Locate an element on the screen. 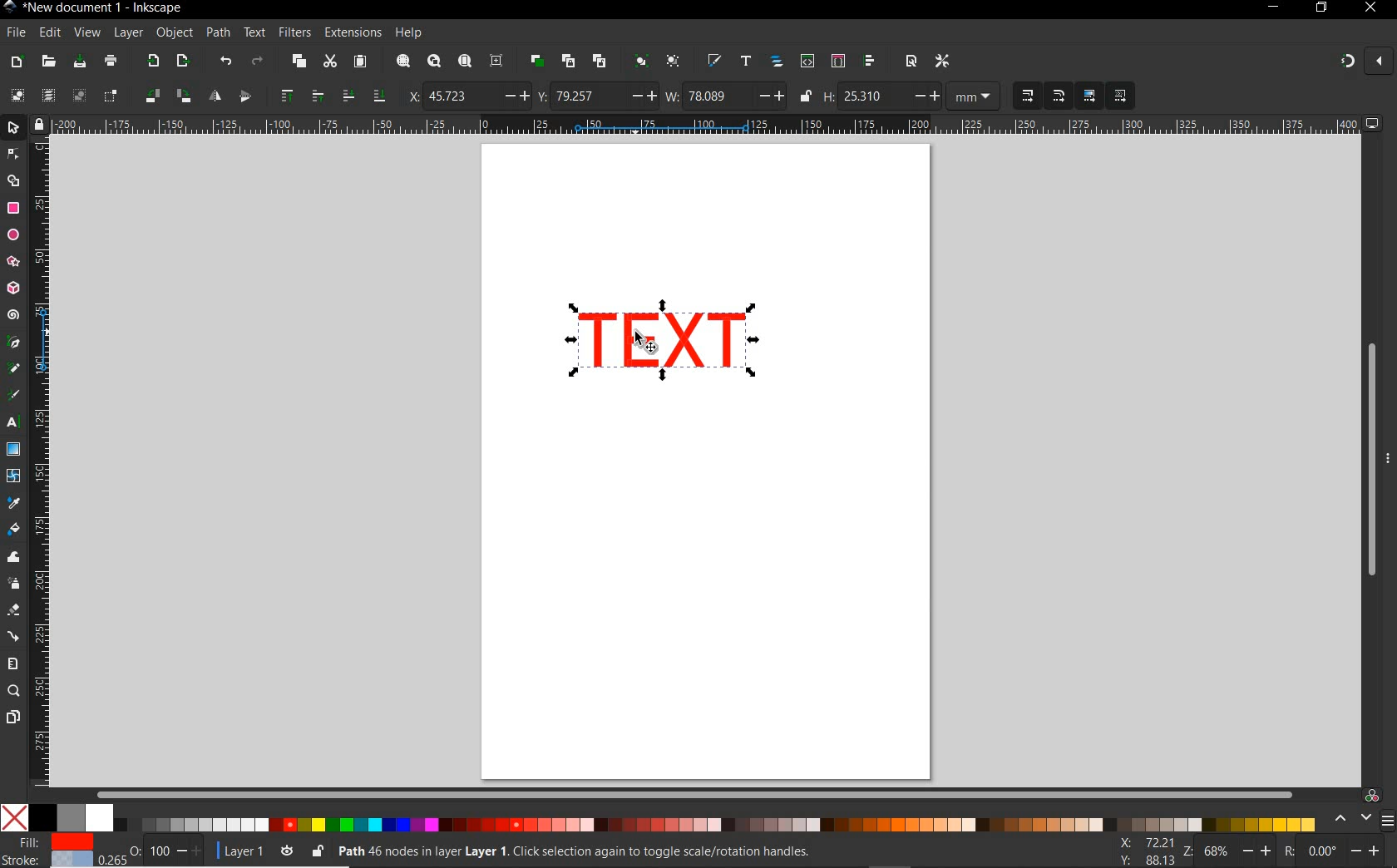  MINIMIZE is located at coordinates (1271, 7).